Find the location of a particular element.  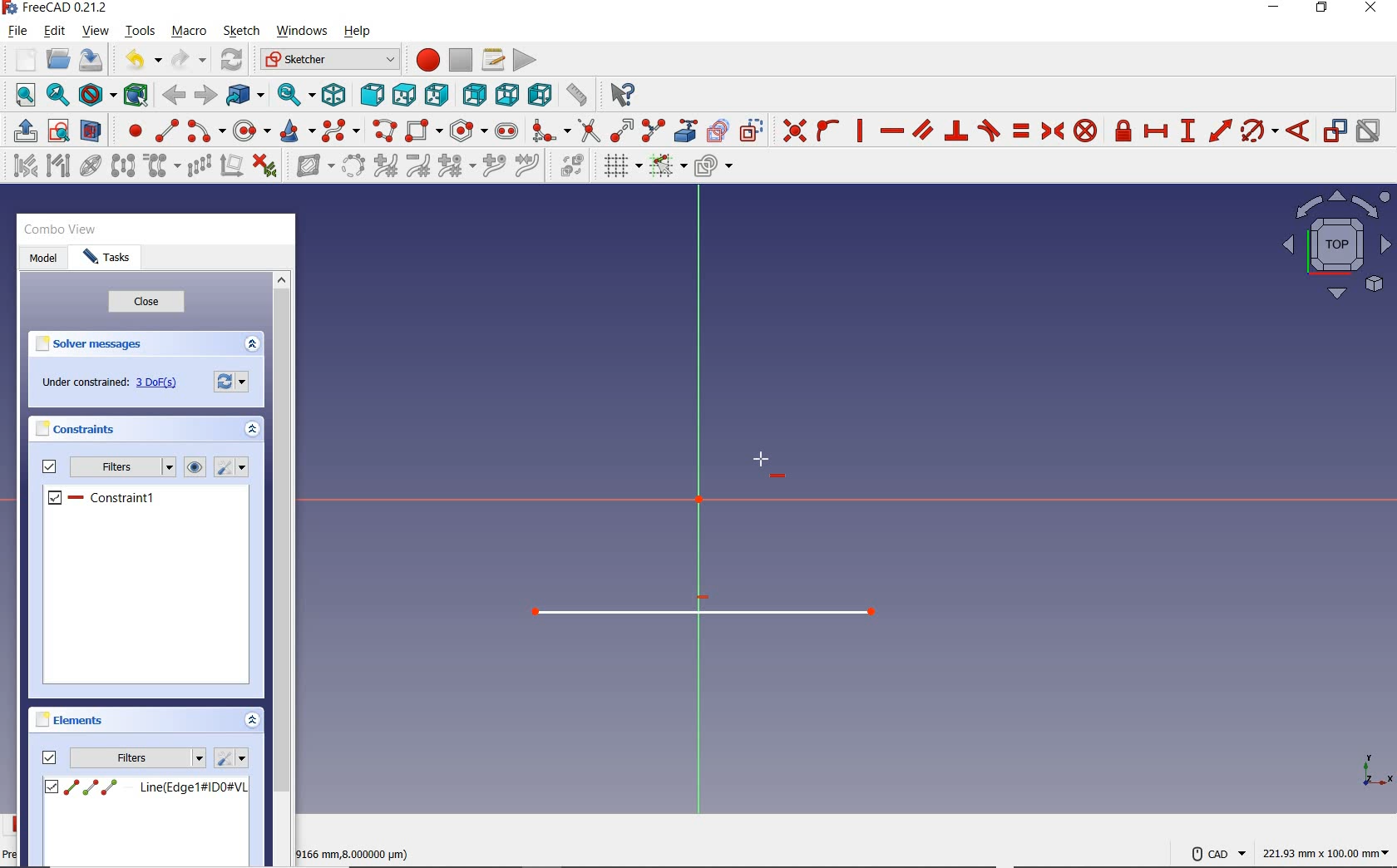

FIT SELECTION is located at coordinates (59, 96).